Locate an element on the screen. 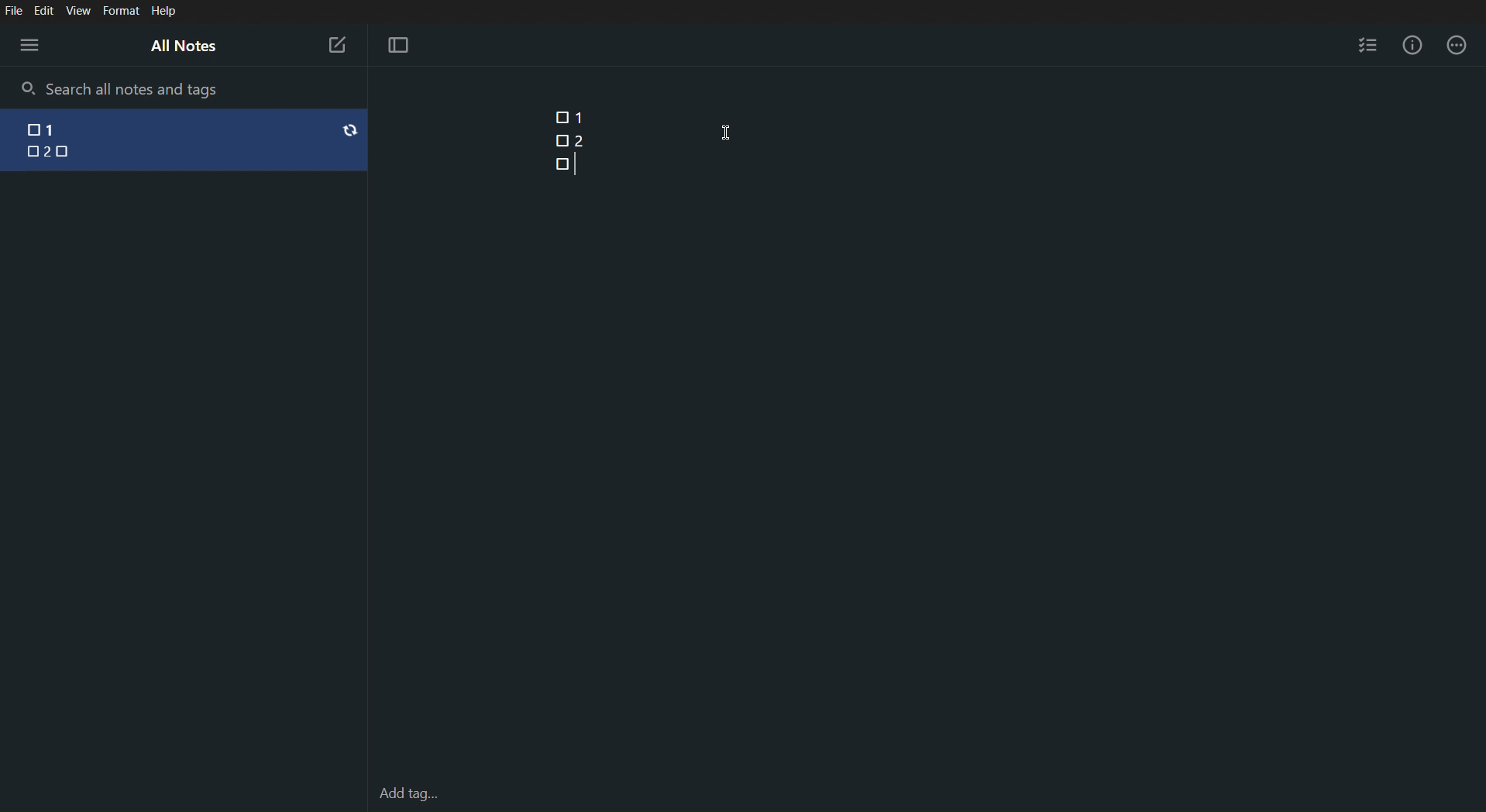 Image resolution: width=1486 pixels, height=812 pixels. Edit is located at coordinates (44, 10).